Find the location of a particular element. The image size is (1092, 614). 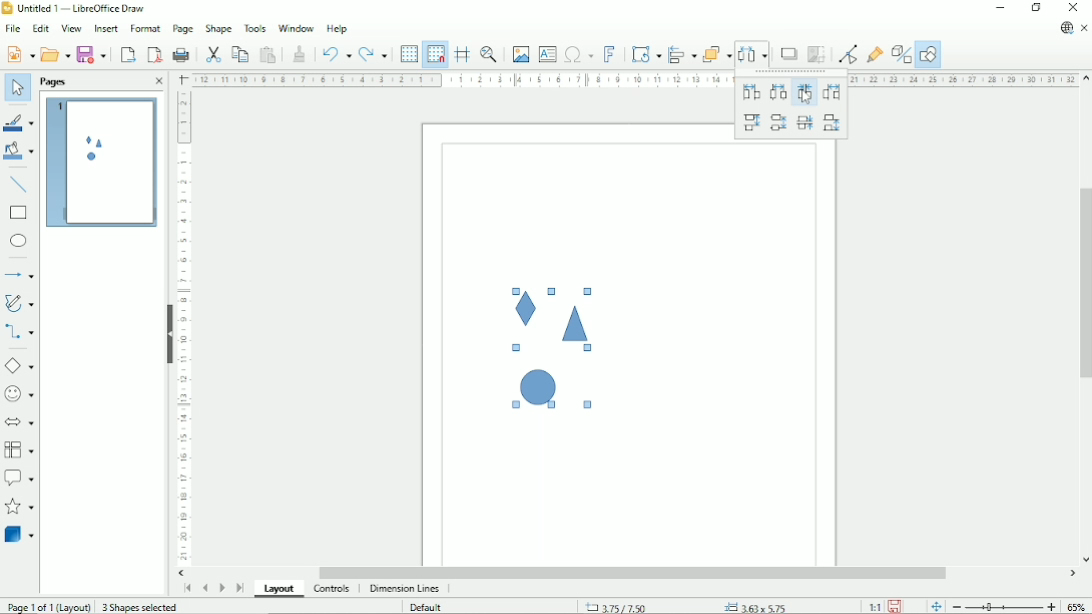

Insert line is located at coordinates (19, 184).